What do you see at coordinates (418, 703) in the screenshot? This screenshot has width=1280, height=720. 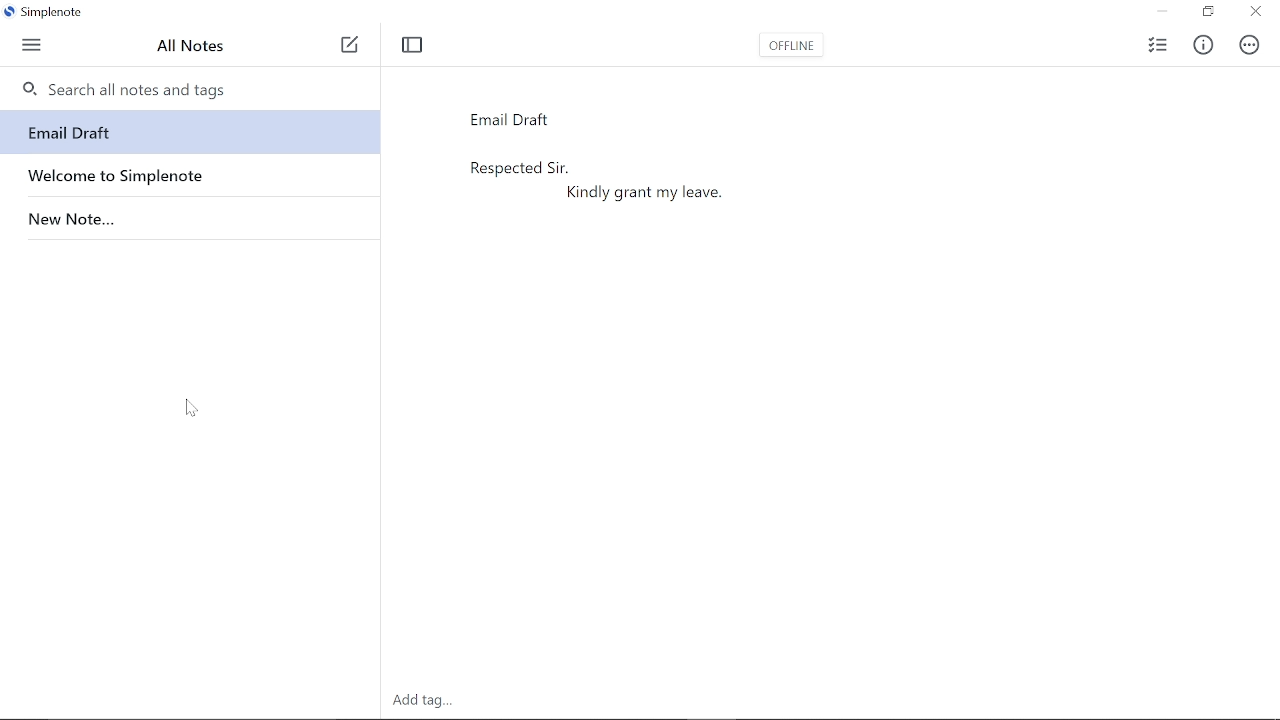 I see `Add tags` at bounding box center [418, 703].